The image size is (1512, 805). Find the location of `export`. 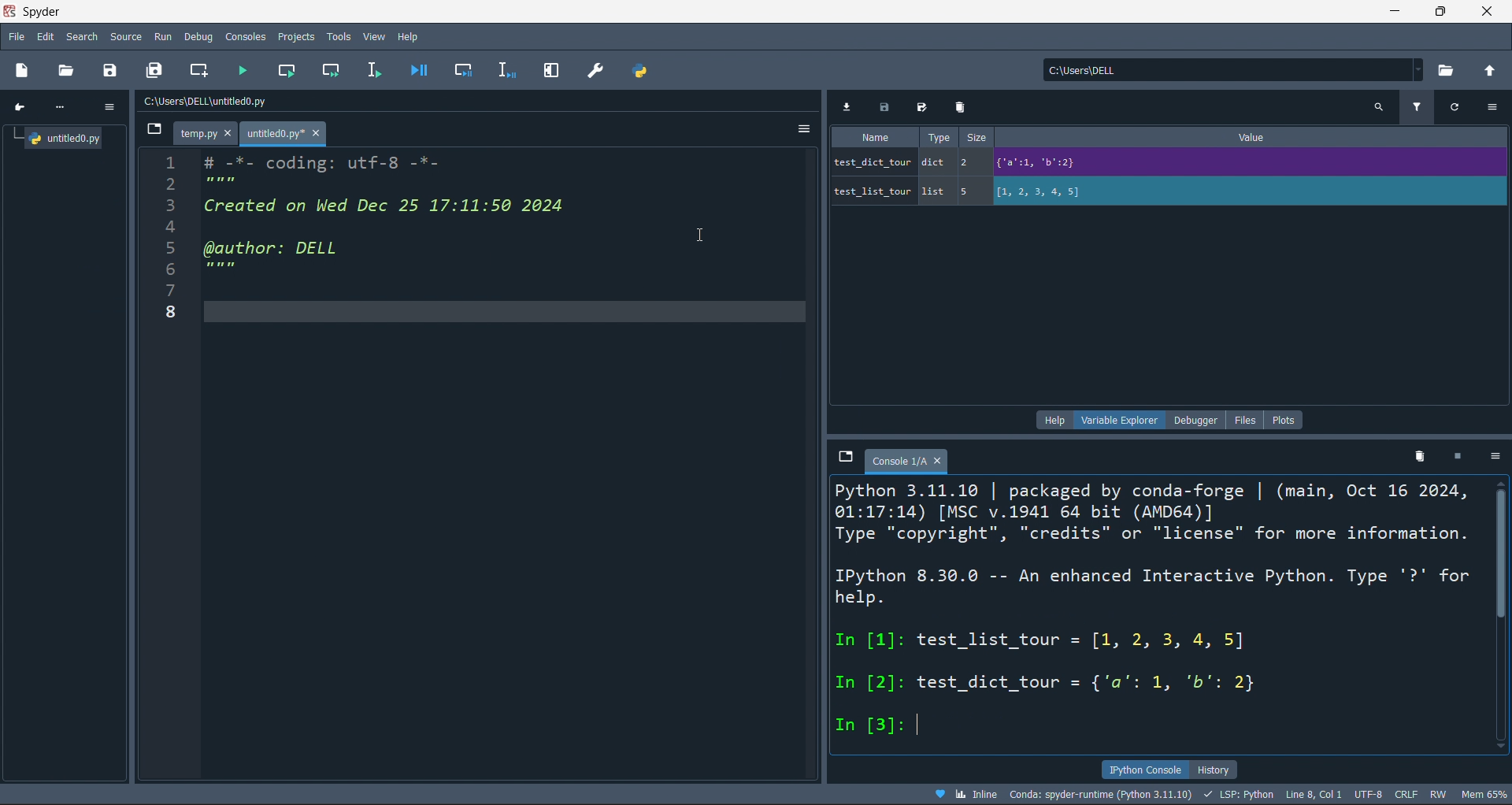

export is located at coordinates (854, 107).